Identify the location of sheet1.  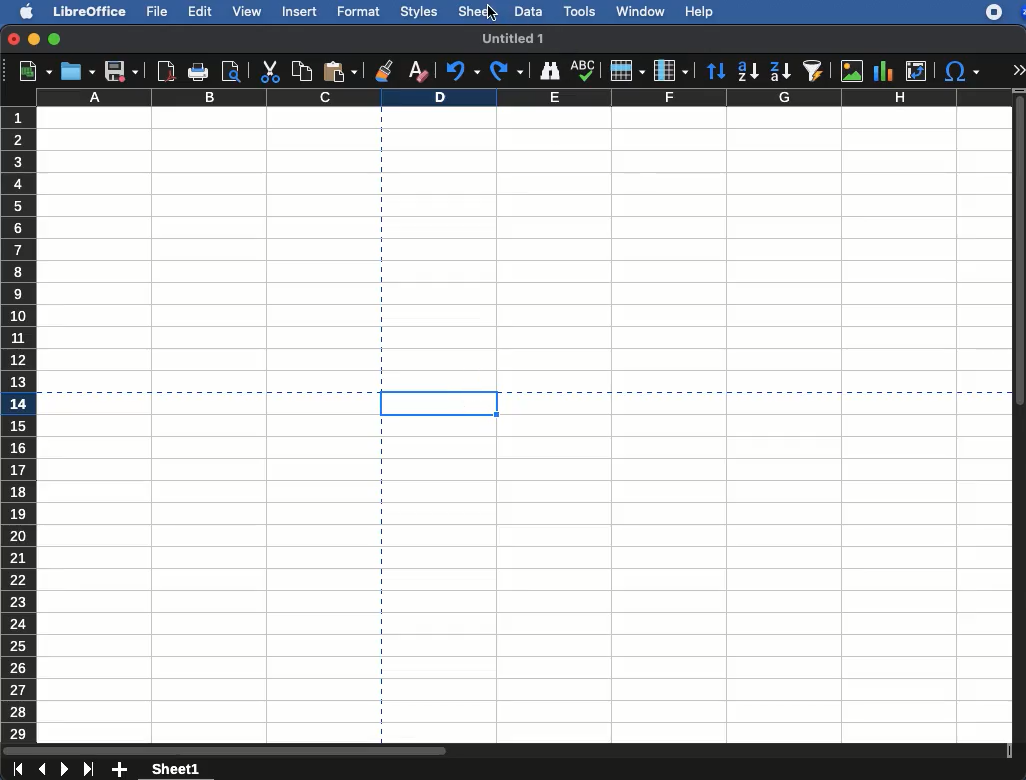
(177, 768).